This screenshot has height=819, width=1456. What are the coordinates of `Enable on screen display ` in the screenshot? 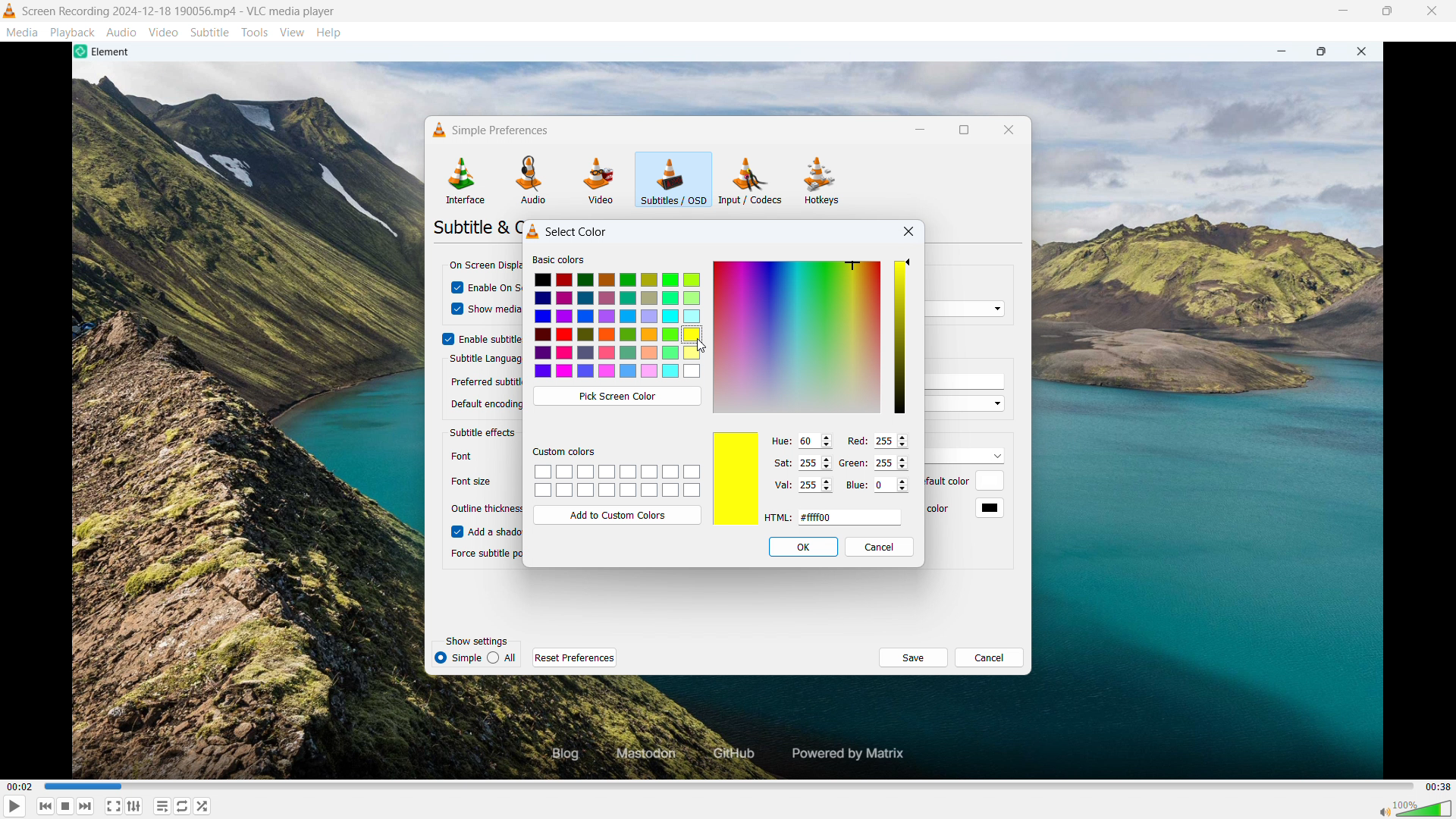 It's located at (497, 288).